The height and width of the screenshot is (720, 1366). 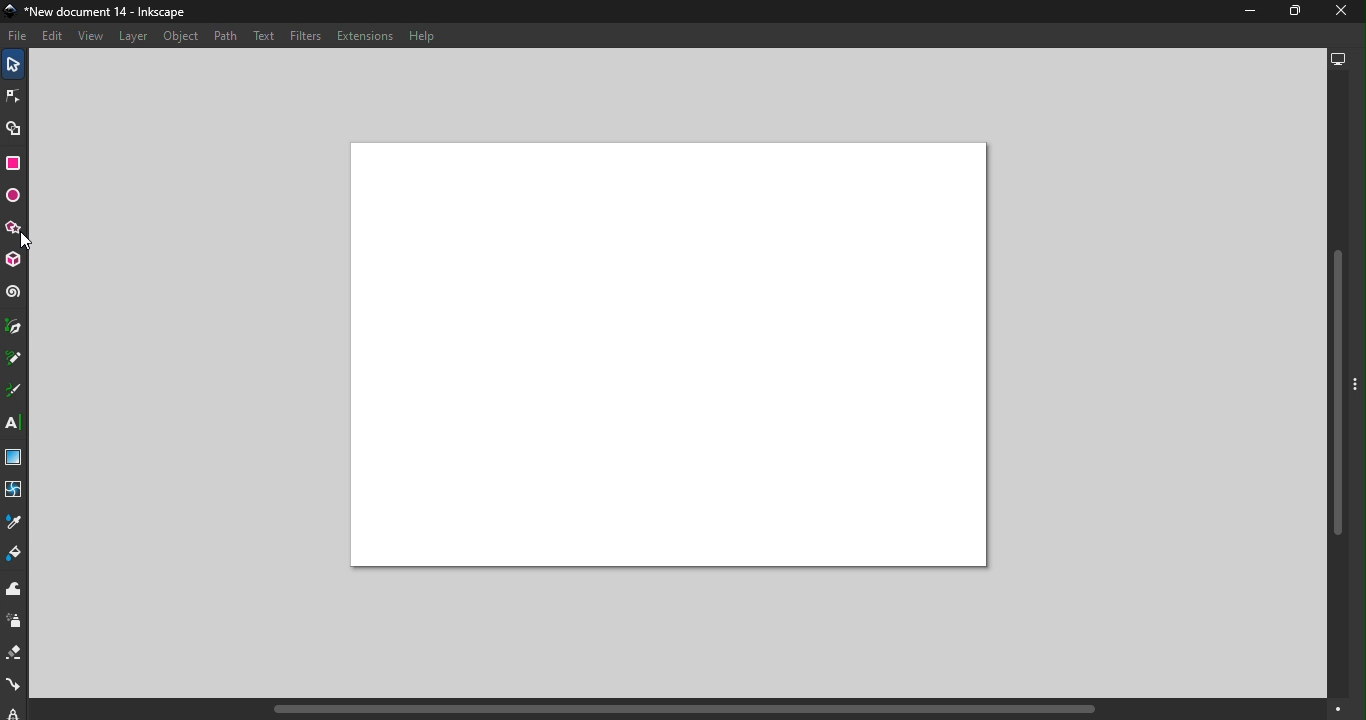 I want to click on lpe, so click(x=9, y=711).